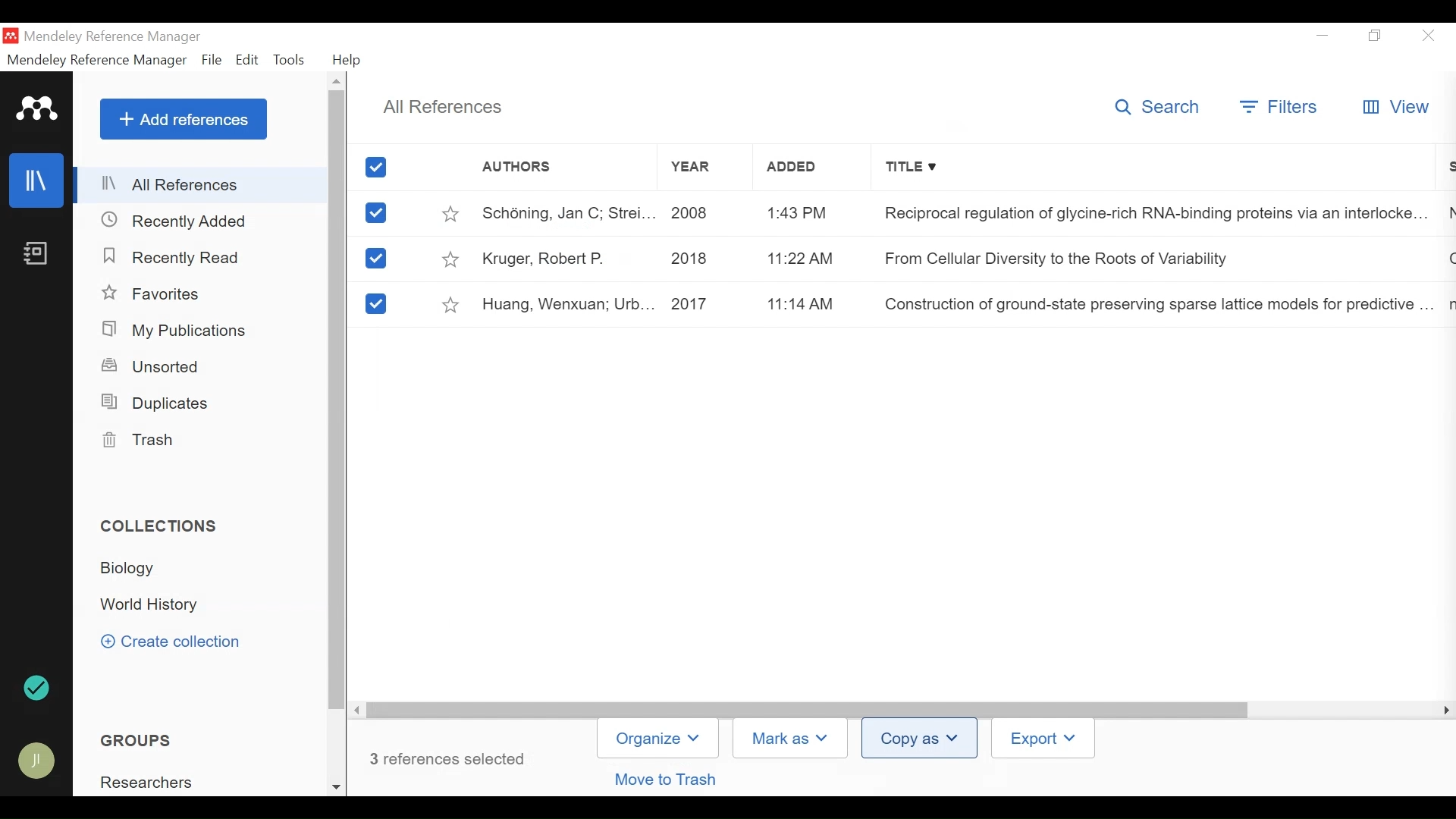  What do you see at coordinates (921, 739) in the screenshot?
I see `Copy As` at bounding box center [921, 739].